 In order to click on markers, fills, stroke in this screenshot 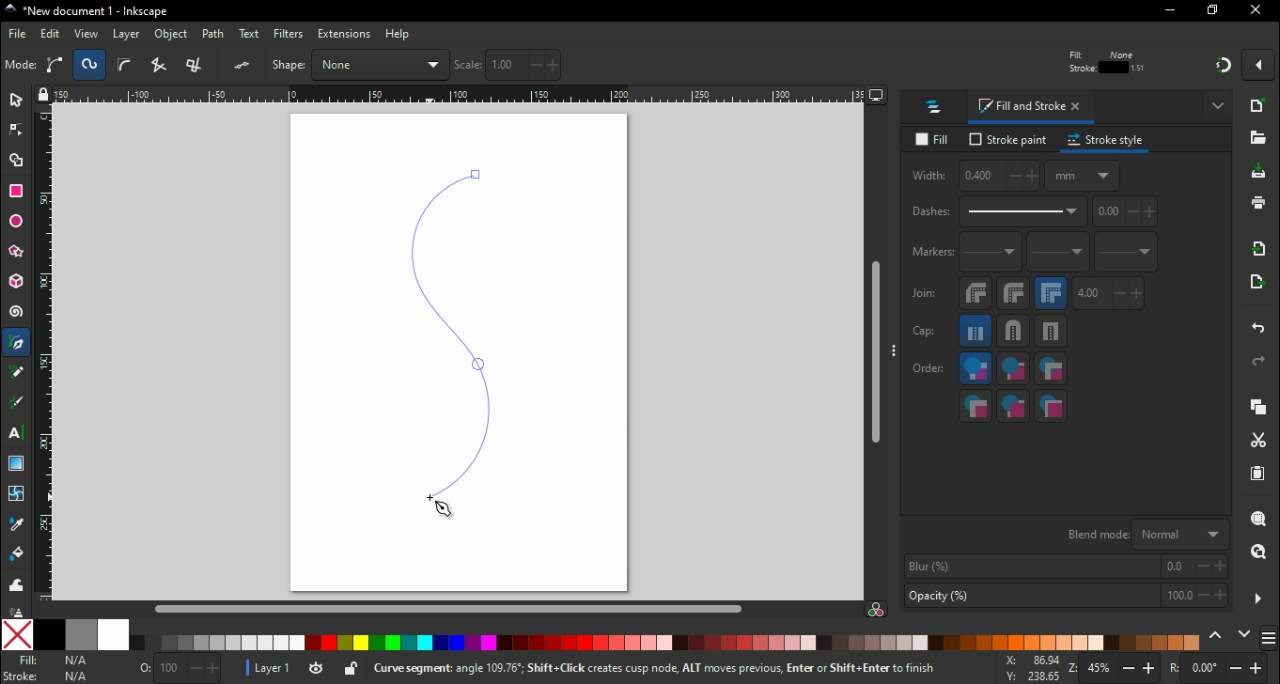, I will do `click(976, 408)`.